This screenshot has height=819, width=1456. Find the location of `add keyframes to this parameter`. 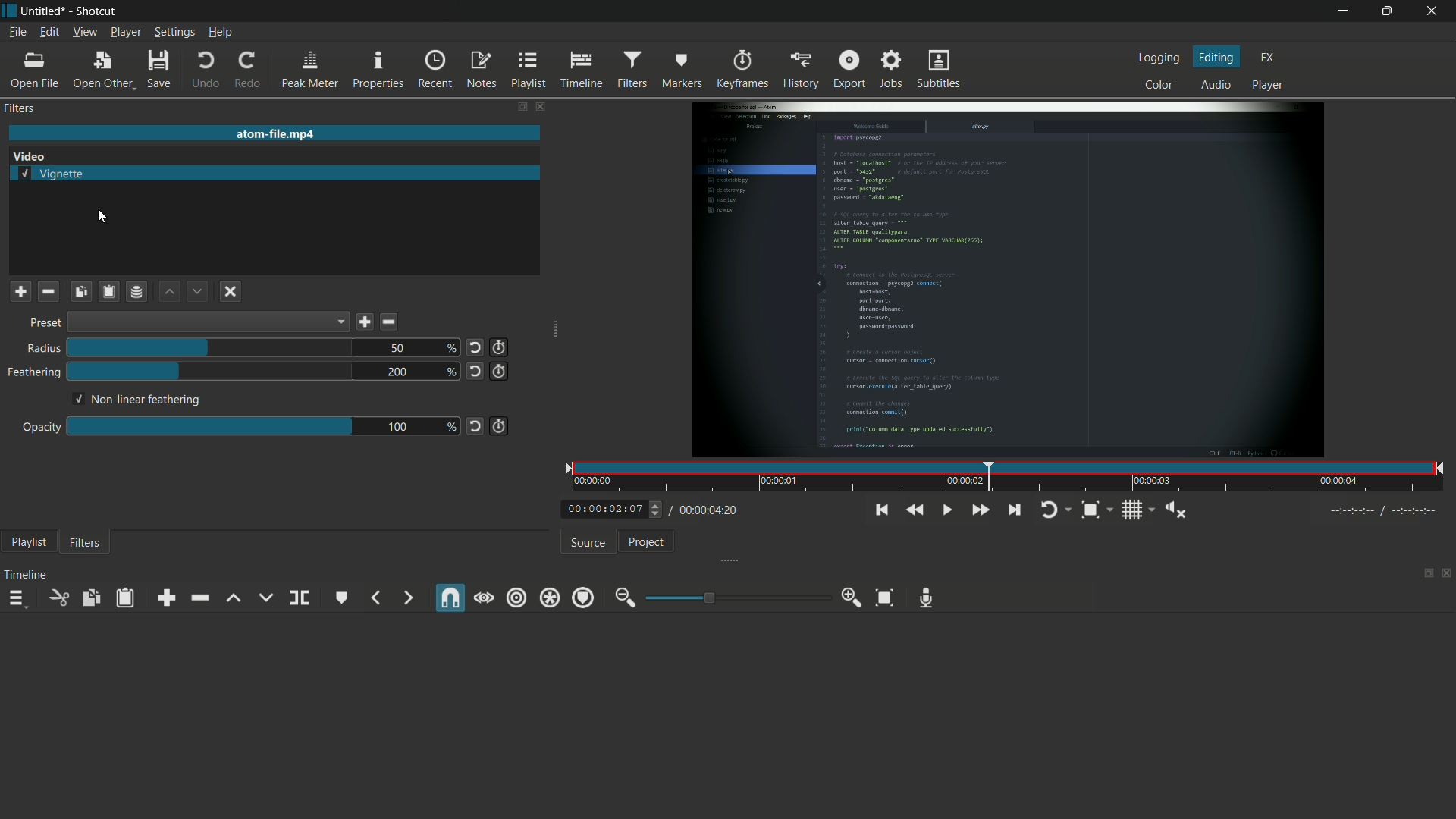

add keyframes to this parameter is located at coordinates (498, 372).